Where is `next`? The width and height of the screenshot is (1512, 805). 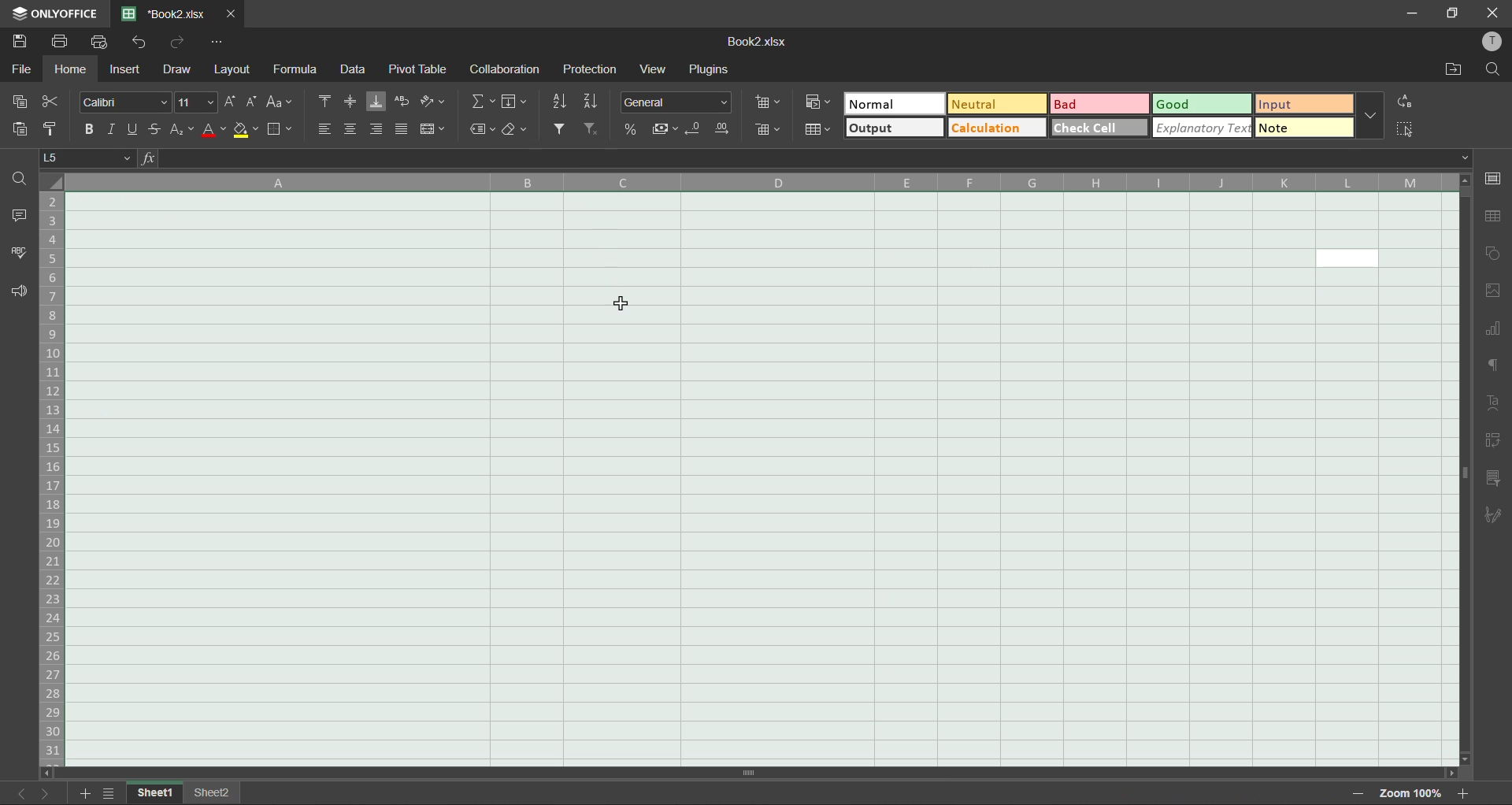 next is located at coordinates (44, 793).